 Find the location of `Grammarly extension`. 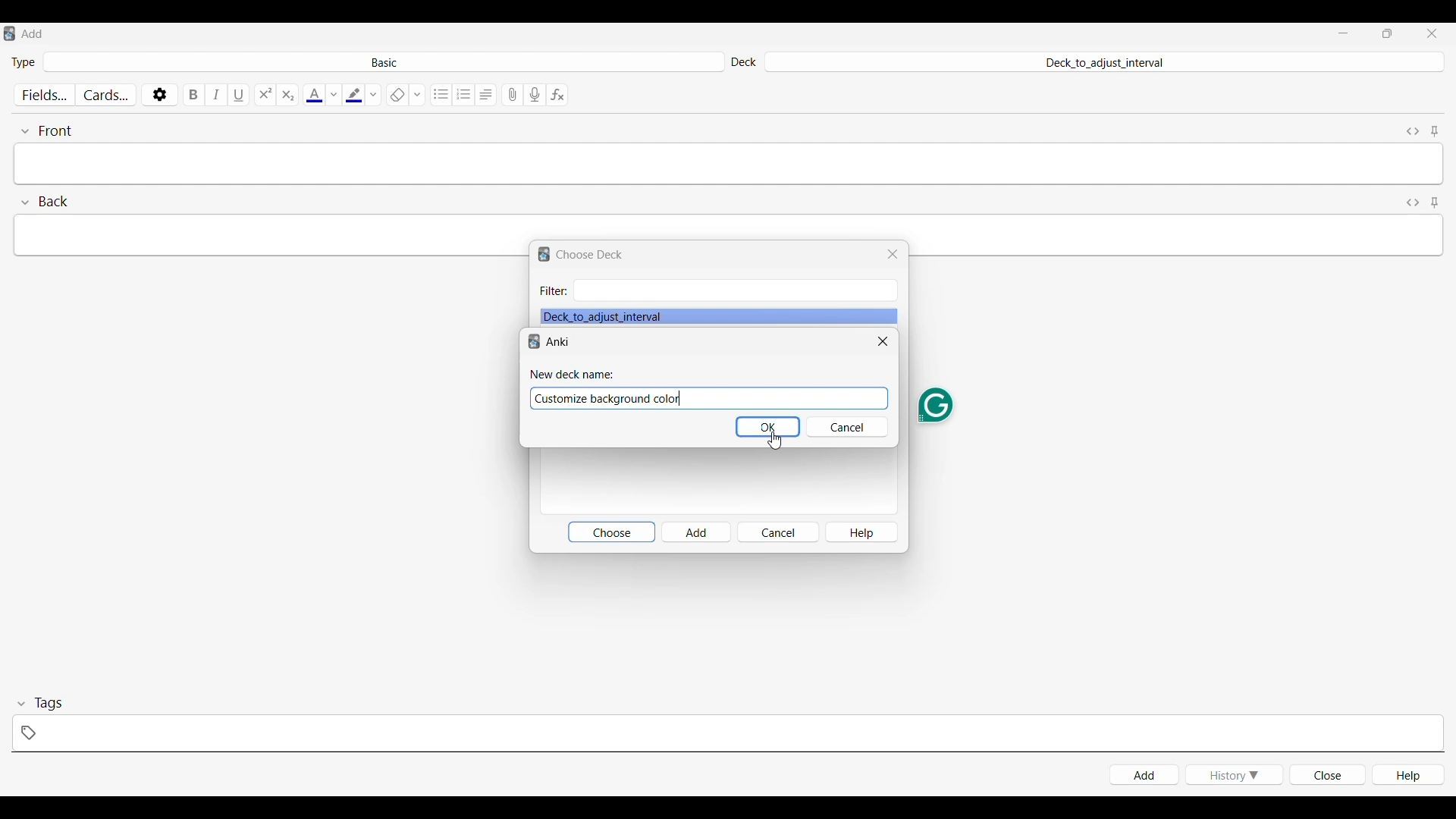

Grammarly extension is located at coordinates (935, 406).